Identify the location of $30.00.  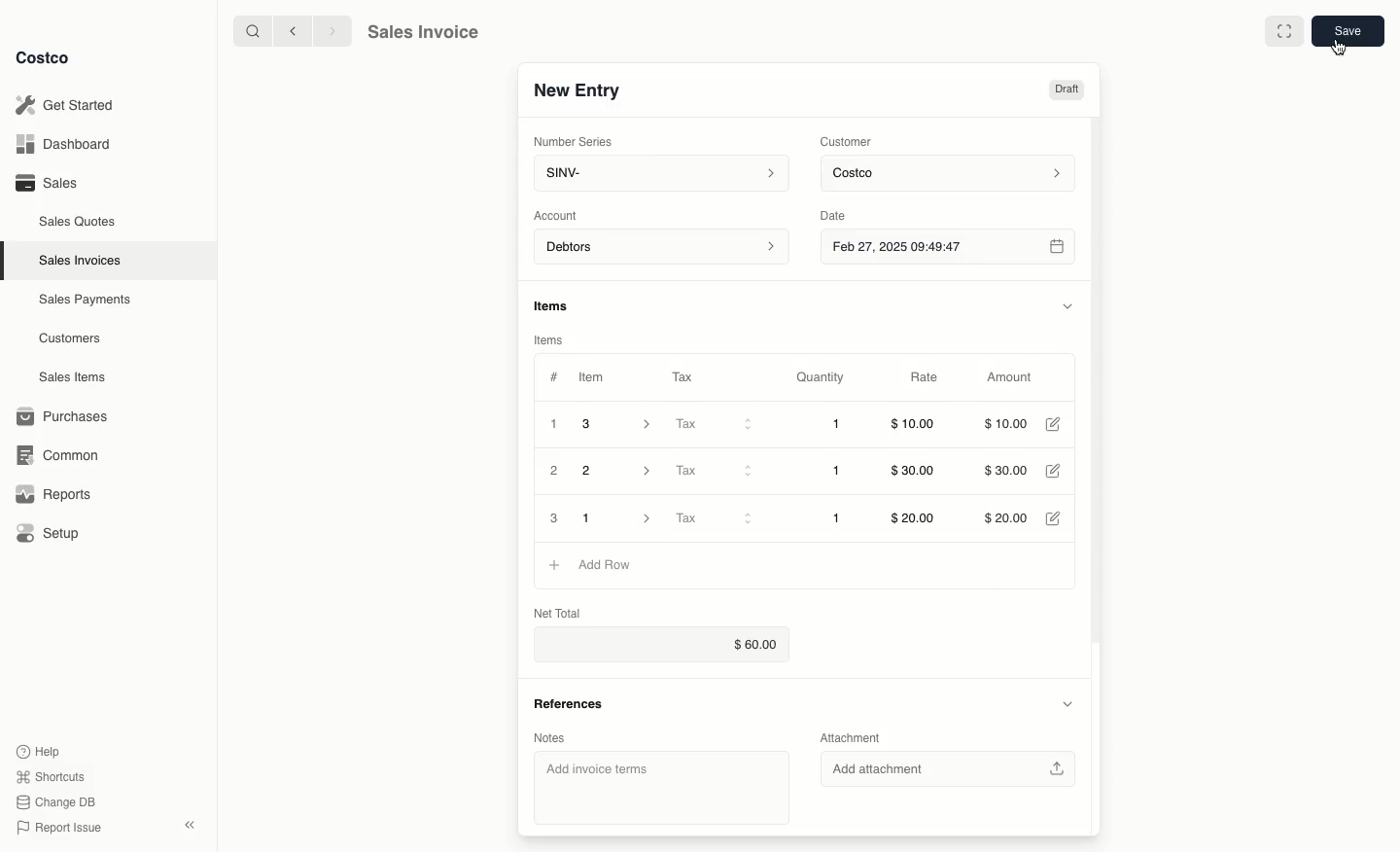
(1004, 472).